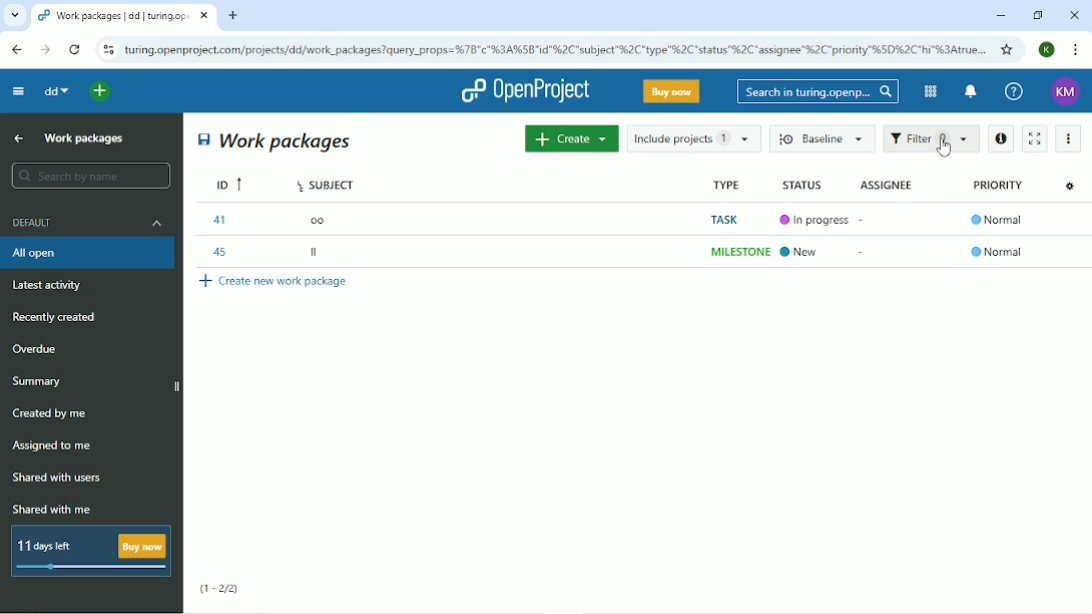  Describe the element at coordinates (58, 478) in the screenshot. I see `Shared with users` at that location.